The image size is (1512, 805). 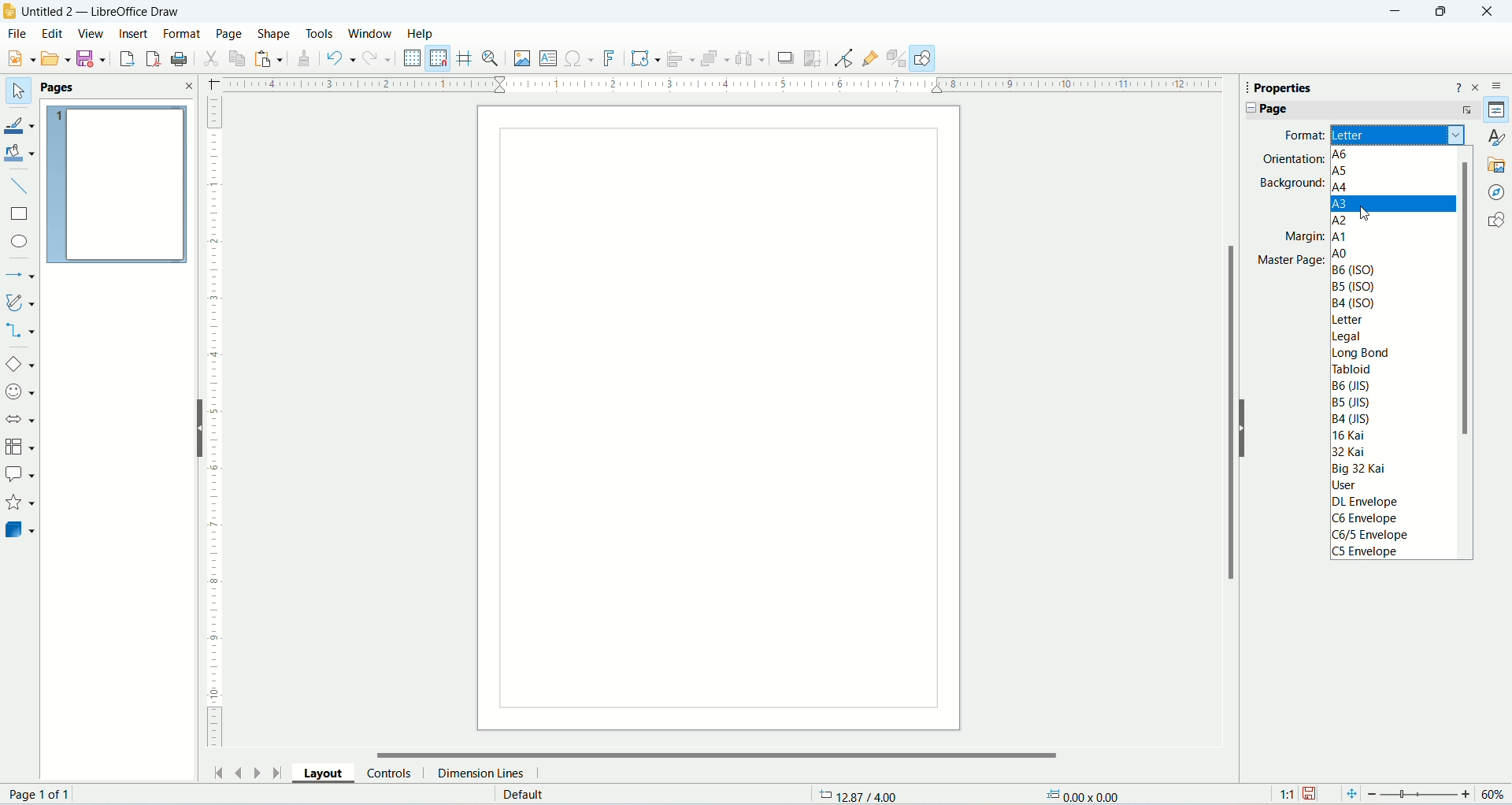 I want to click on horizontal ruler, so click(x=719, y=87).